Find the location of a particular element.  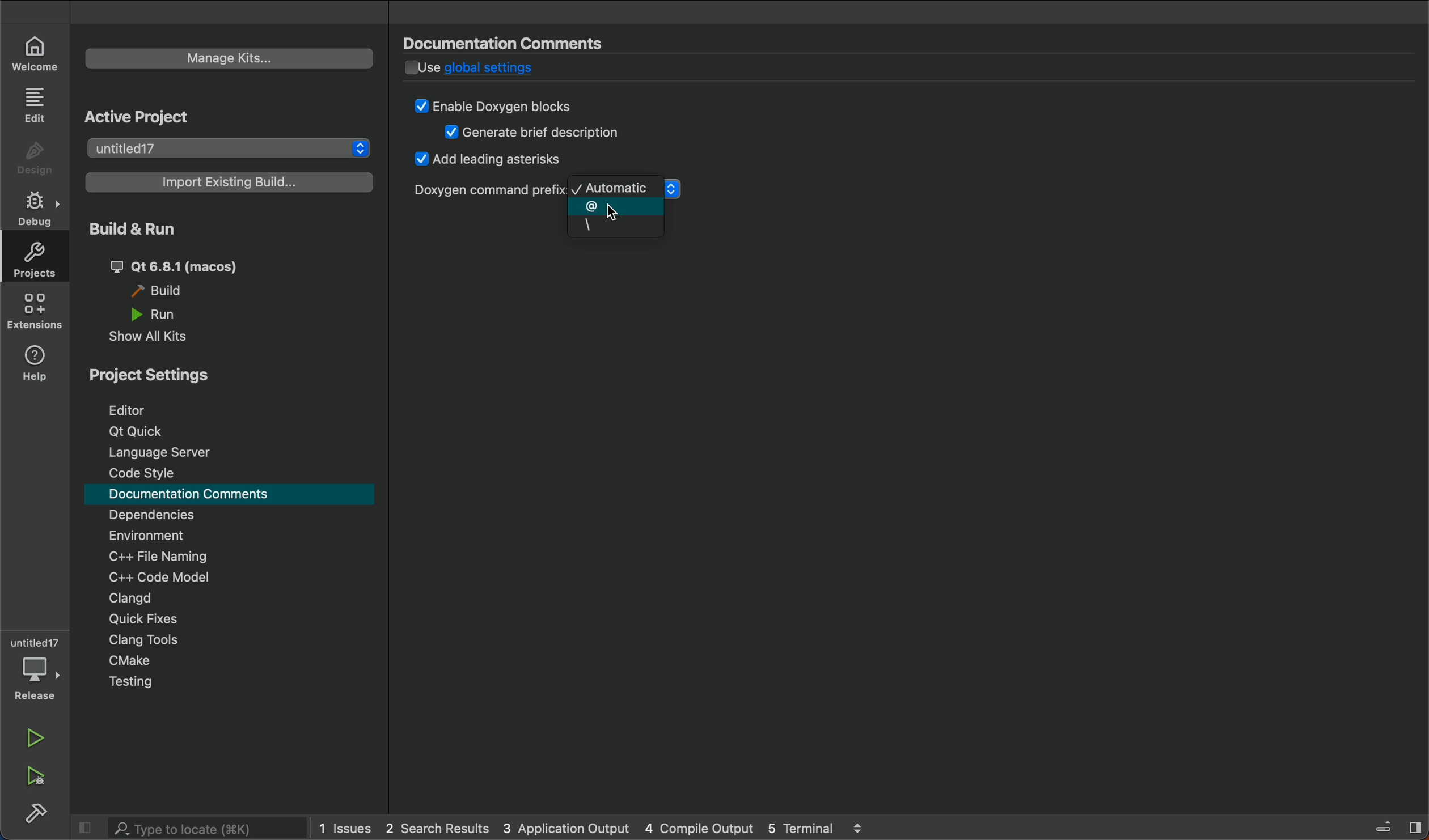

project settings is located at coordinates (231, 375).